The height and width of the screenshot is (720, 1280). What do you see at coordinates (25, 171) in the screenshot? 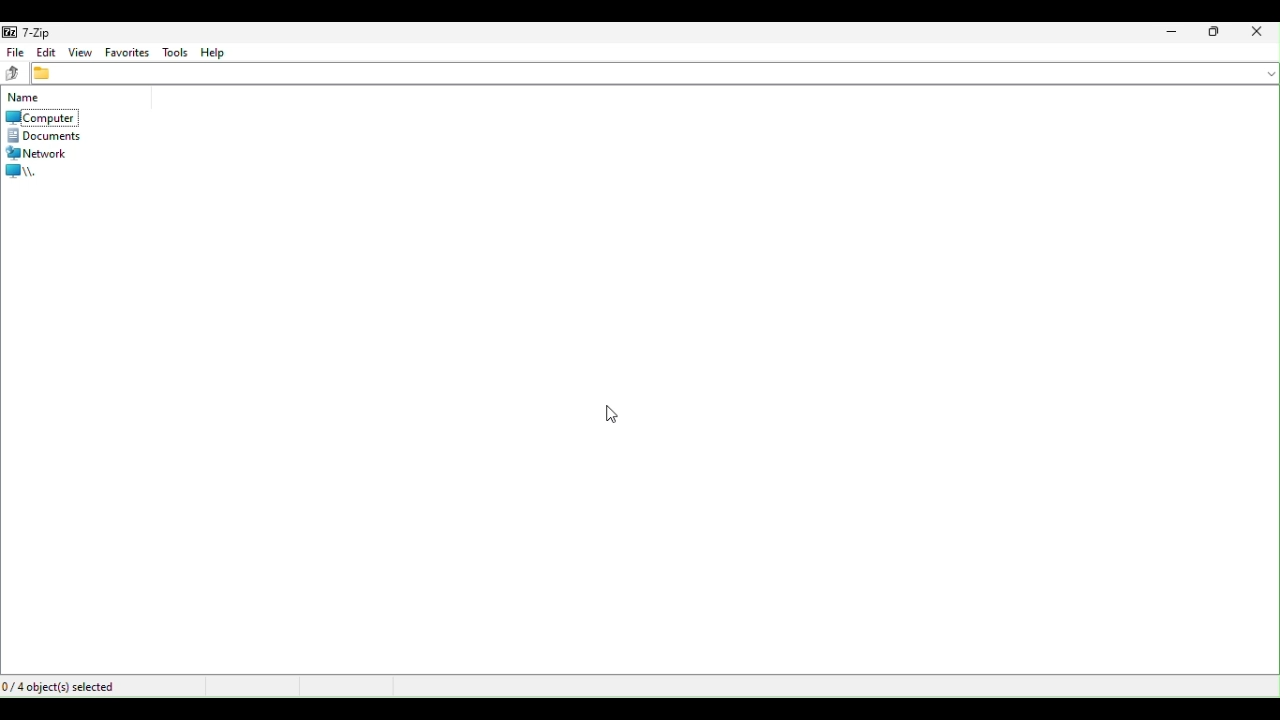
I see `root` at bounding box center [25, 171].